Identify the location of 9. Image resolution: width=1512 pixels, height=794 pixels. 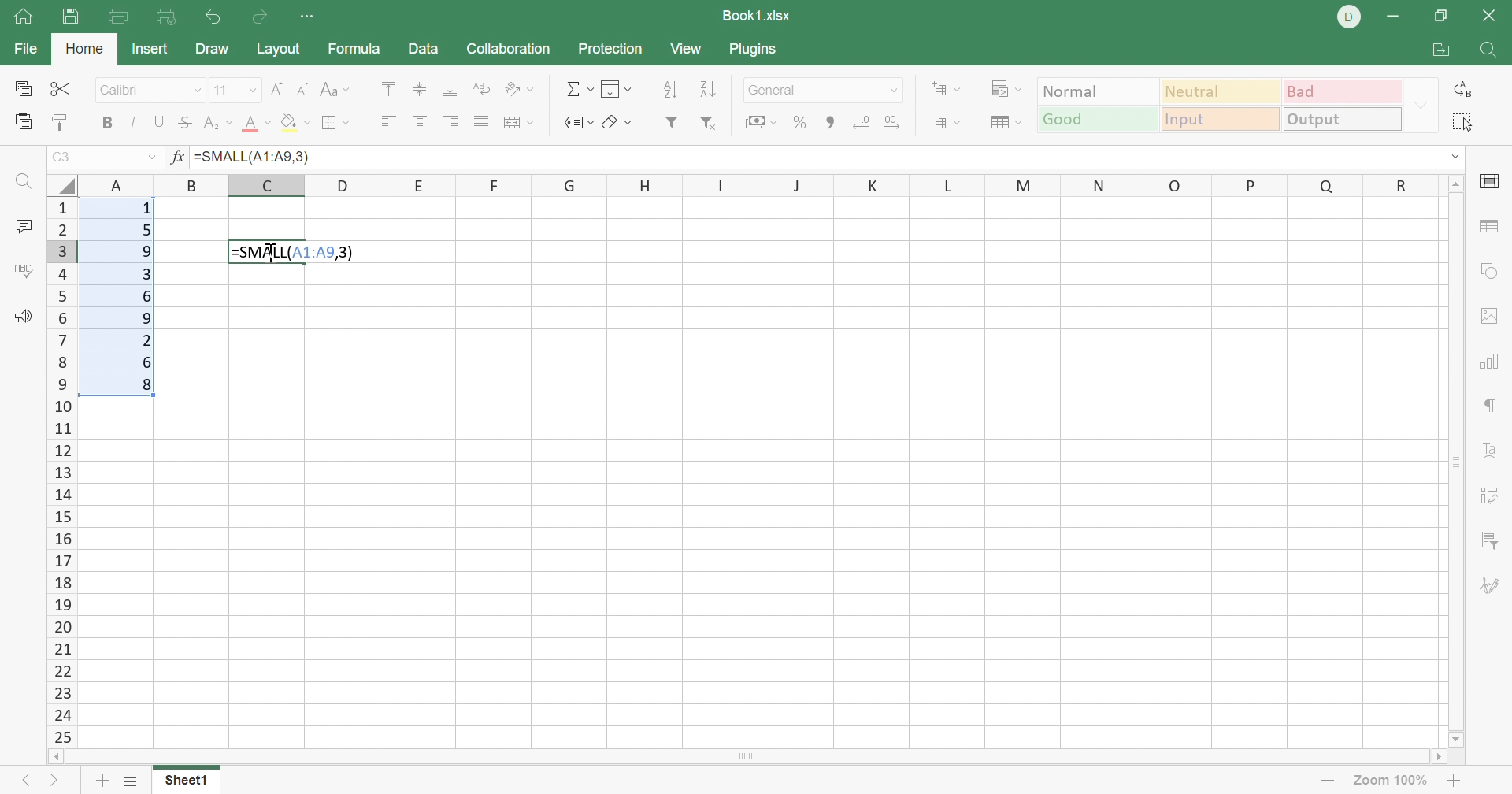
(145, 318).